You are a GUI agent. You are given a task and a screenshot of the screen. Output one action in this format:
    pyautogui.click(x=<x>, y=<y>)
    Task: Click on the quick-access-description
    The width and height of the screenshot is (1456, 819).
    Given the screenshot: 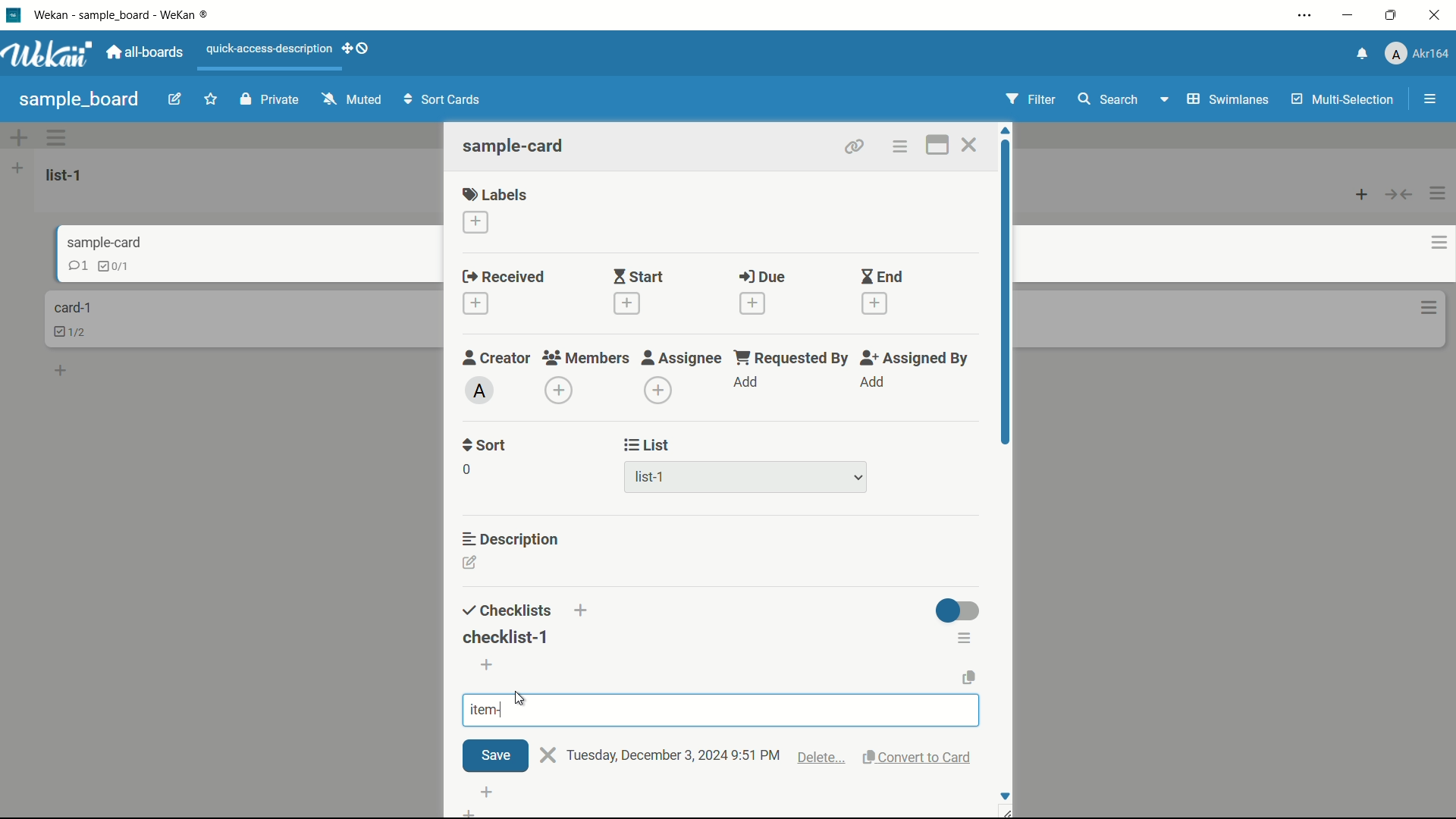 What is the action you would take?
    pyautogui.click(x=269, y=49)
    